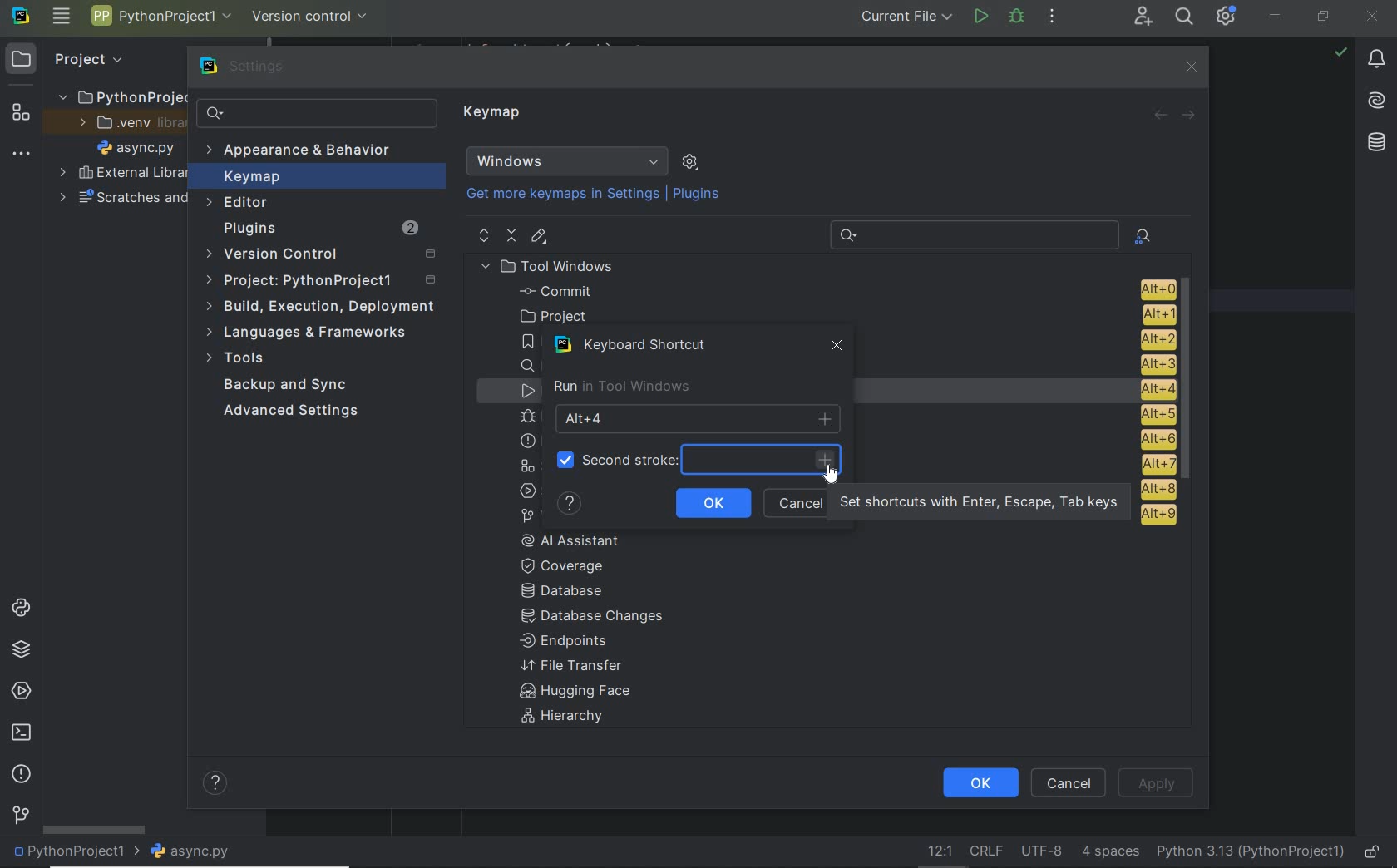 The width and height of the screenshot is (1397, 868). Describe the element at coordinates (294, 412) in the screenshot. I see `Advanced Settings` at that location.